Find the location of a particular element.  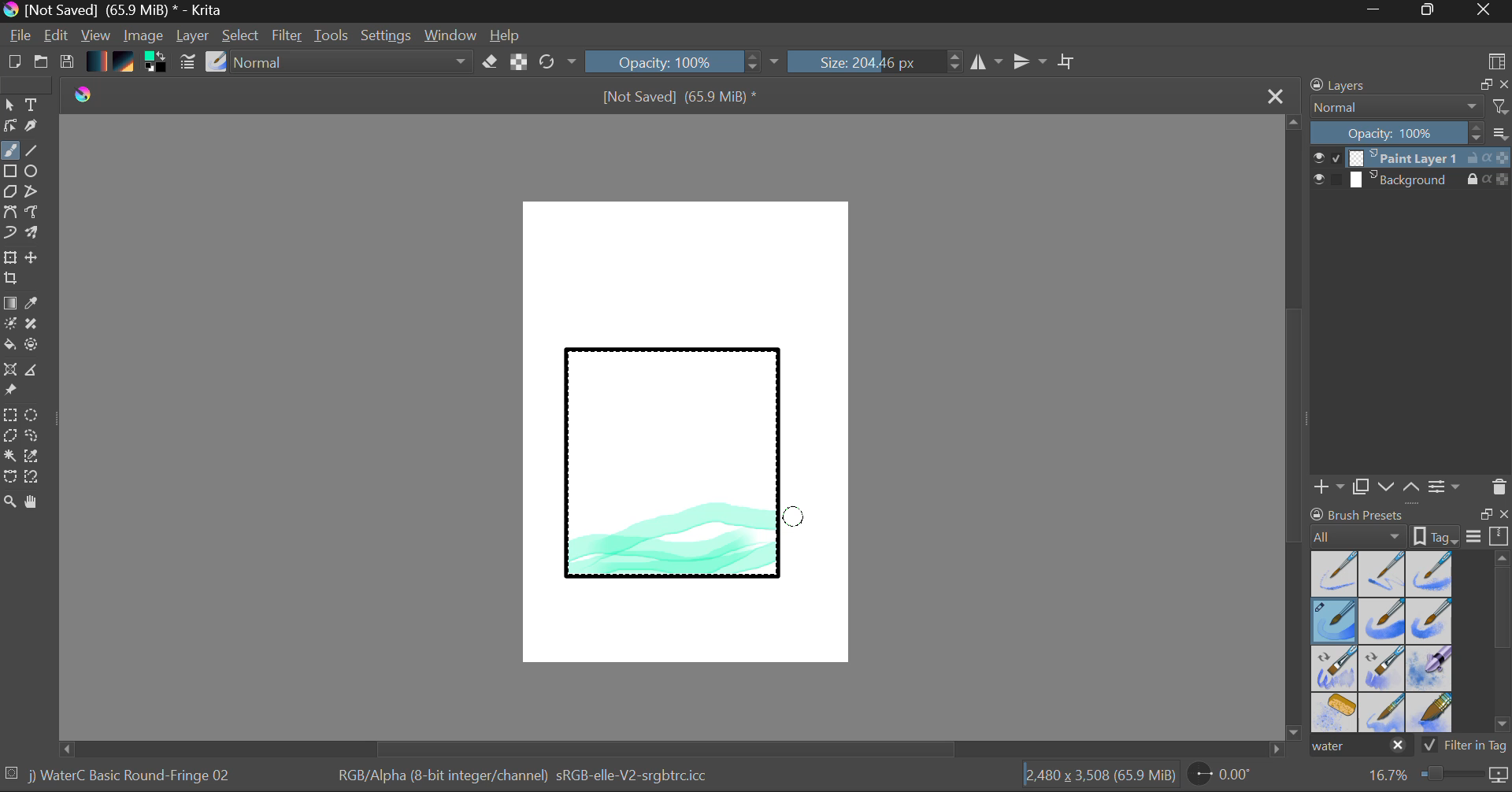

Select is located at coordinates (9, 105).